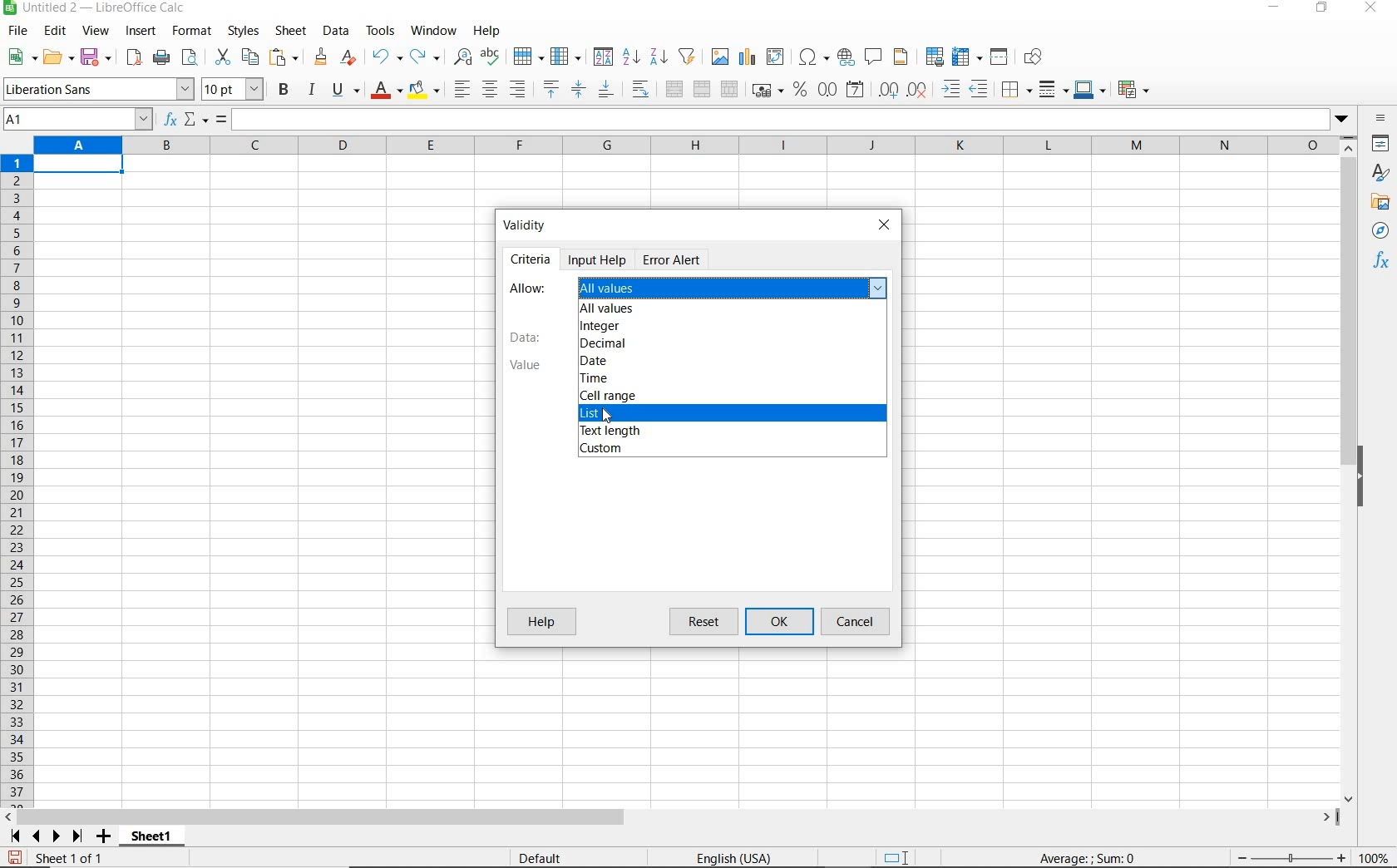 Image resolution: width=1397 pixels, height=868 pixels. What do you see at coordinates (531, 257) in the screenshot?
I see `criteria` at bounding box center [531, 257].